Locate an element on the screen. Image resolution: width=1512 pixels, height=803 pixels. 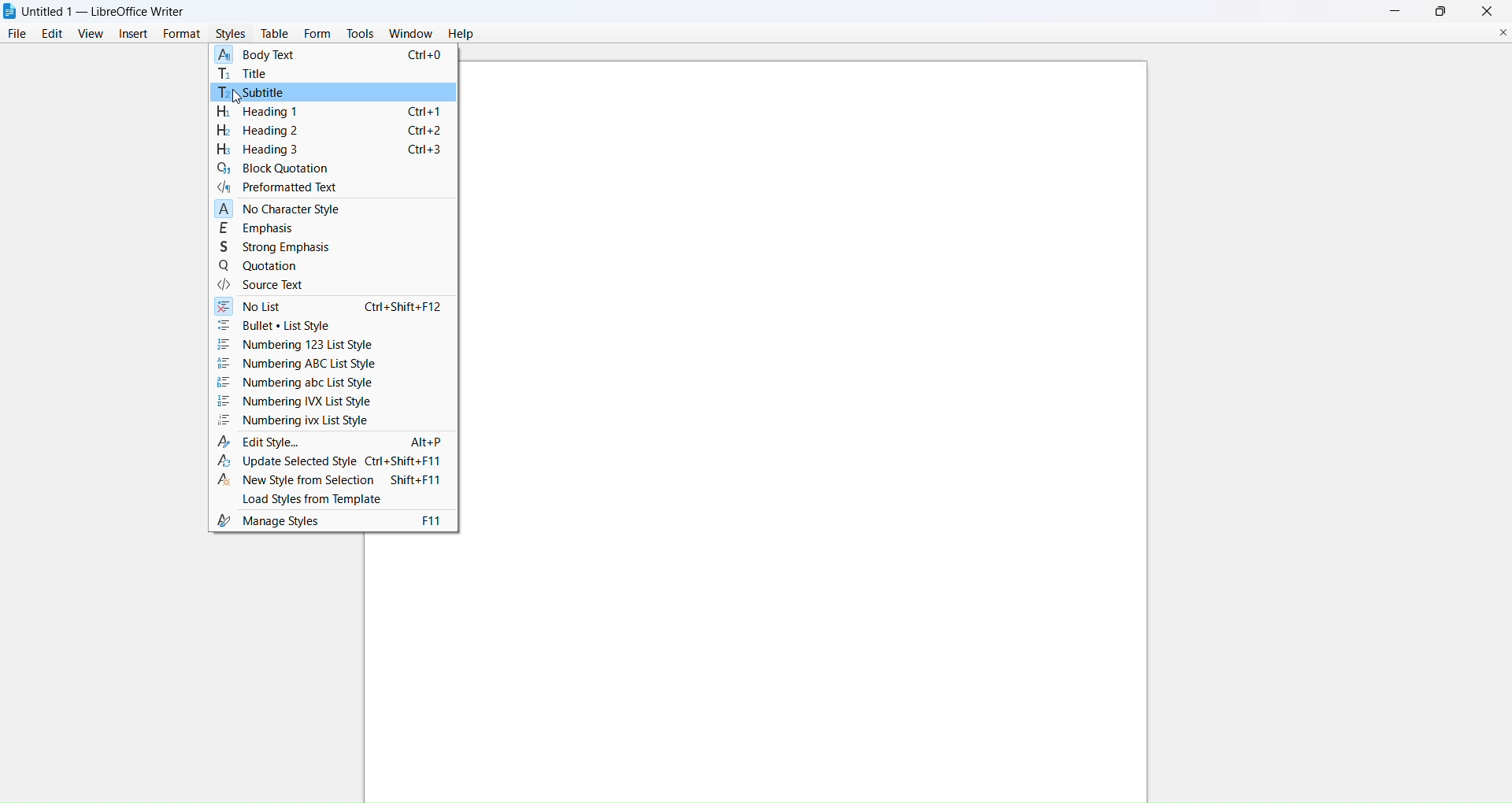
no list             Ctrl+Shift+F12 is located at coordinates (333, 308).